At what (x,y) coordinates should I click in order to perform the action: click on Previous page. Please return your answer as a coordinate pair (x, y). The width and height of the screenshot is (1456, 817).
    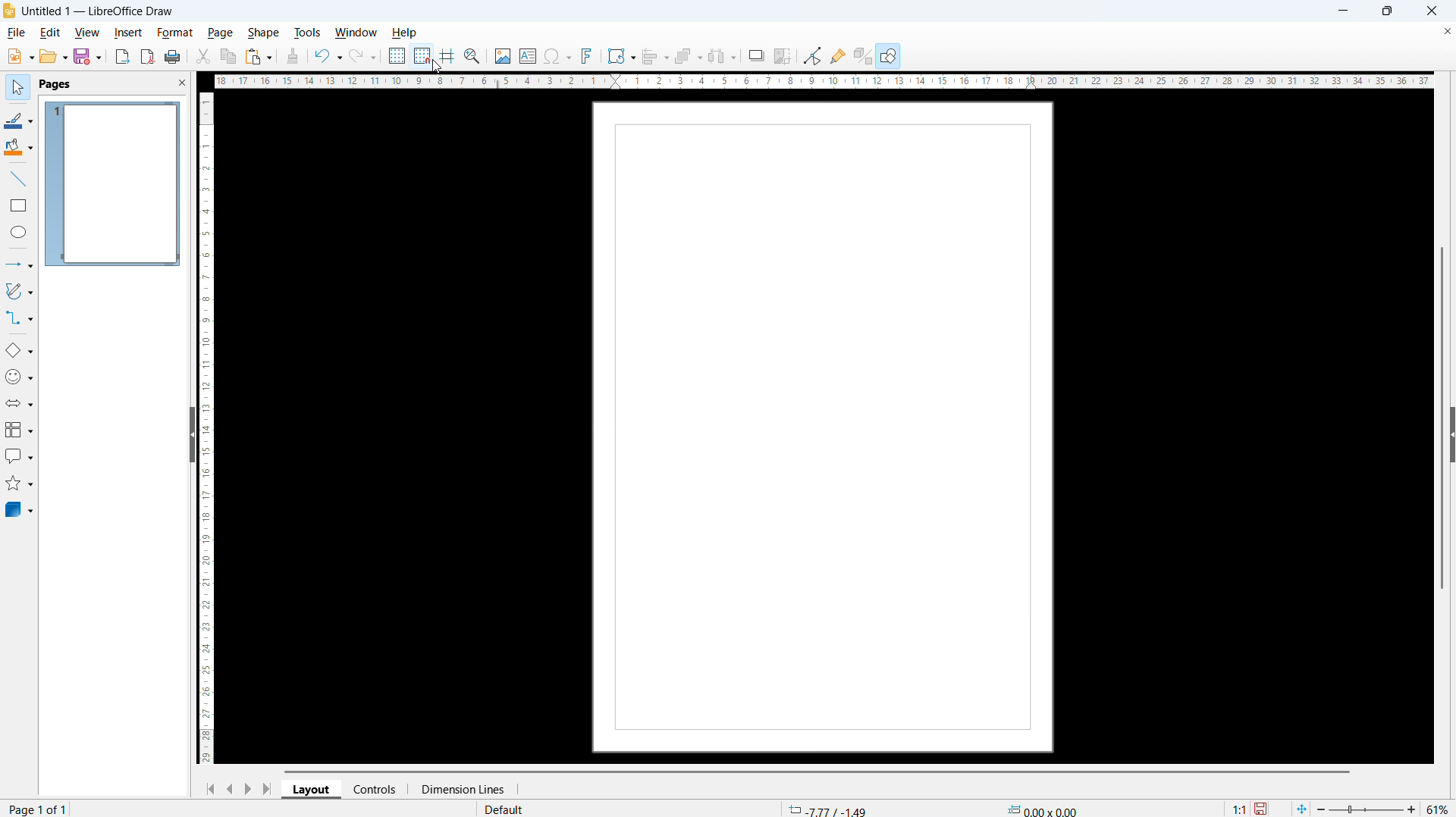
    Looking at the image, I should click on (231, 789).